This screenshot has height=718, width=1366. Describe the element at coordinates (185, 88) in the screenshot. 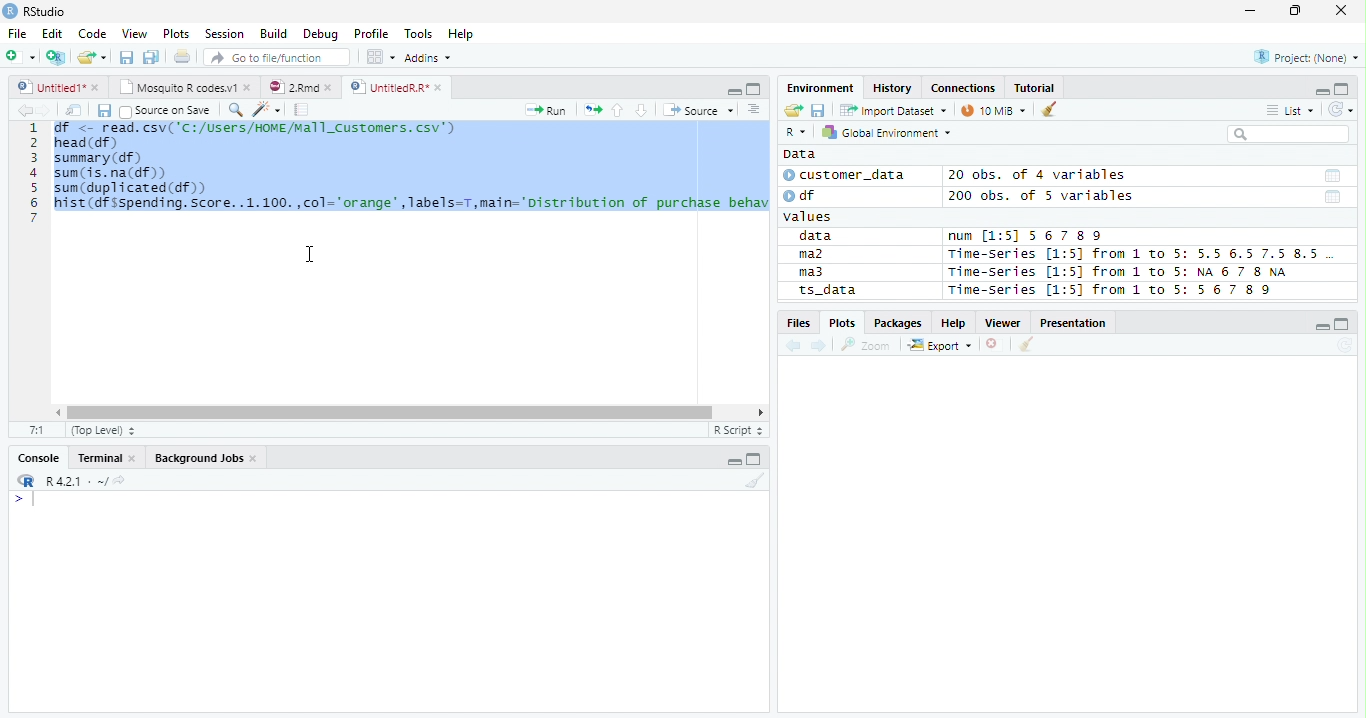

I see `Mosquito T codes.v1` at that location.